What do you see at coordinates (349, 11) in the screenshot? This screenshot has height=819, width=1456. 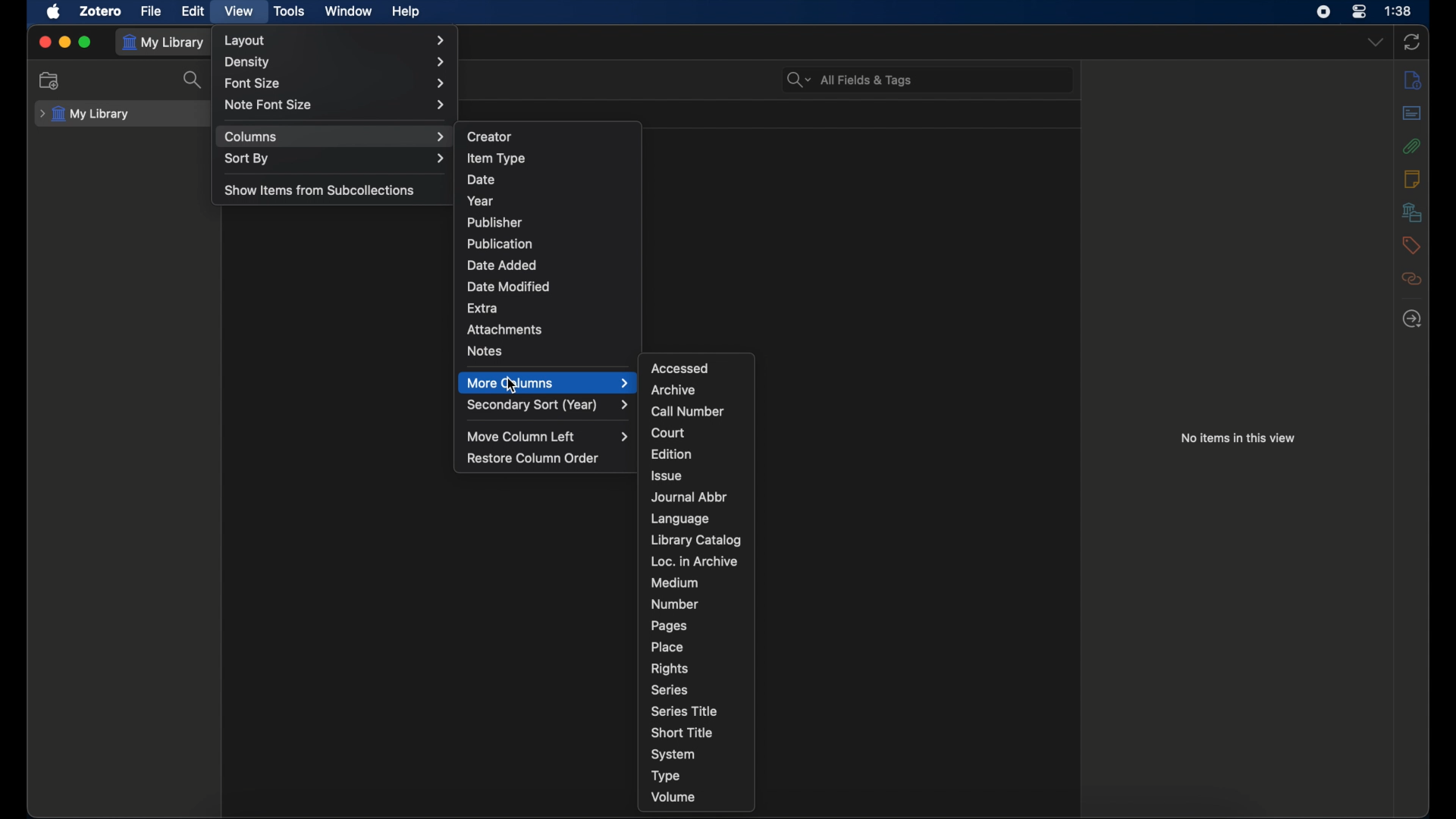 I see `window` at bounding box center [349, 11].